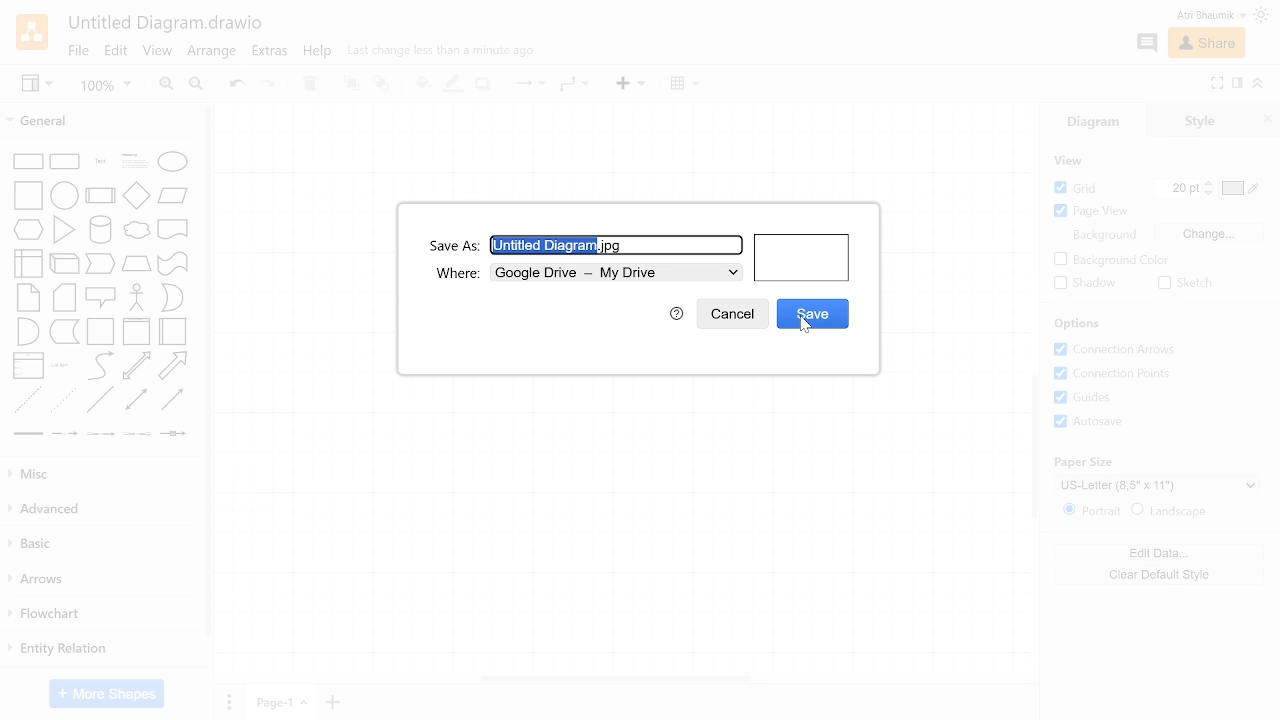 This screenshot has height=720, width=1280. Describe the element at coordinates (109, 87) in the screenshot. I see `Zoom` at that location.